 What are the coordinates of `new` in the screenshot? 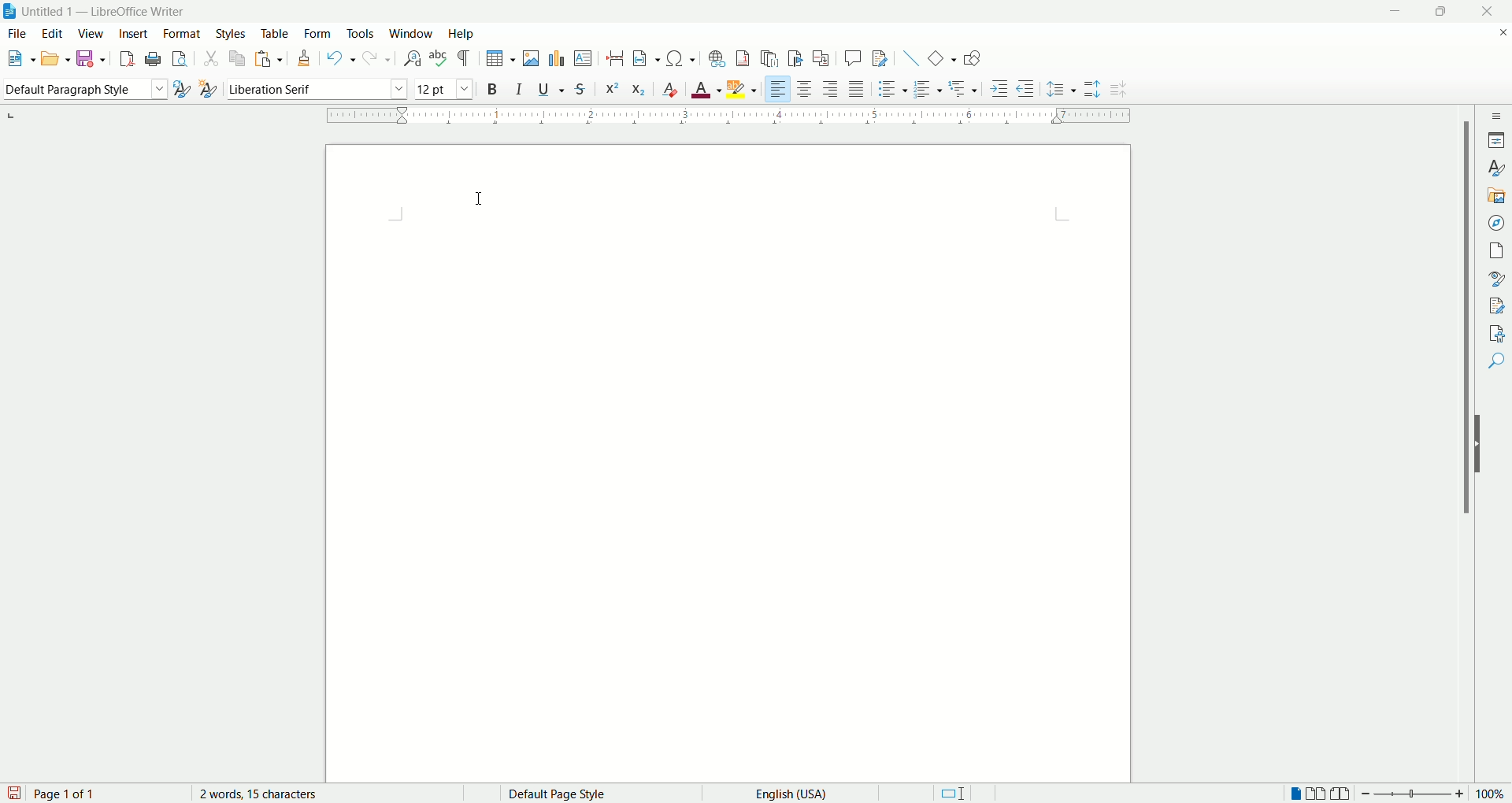 It's located at (16, 56).